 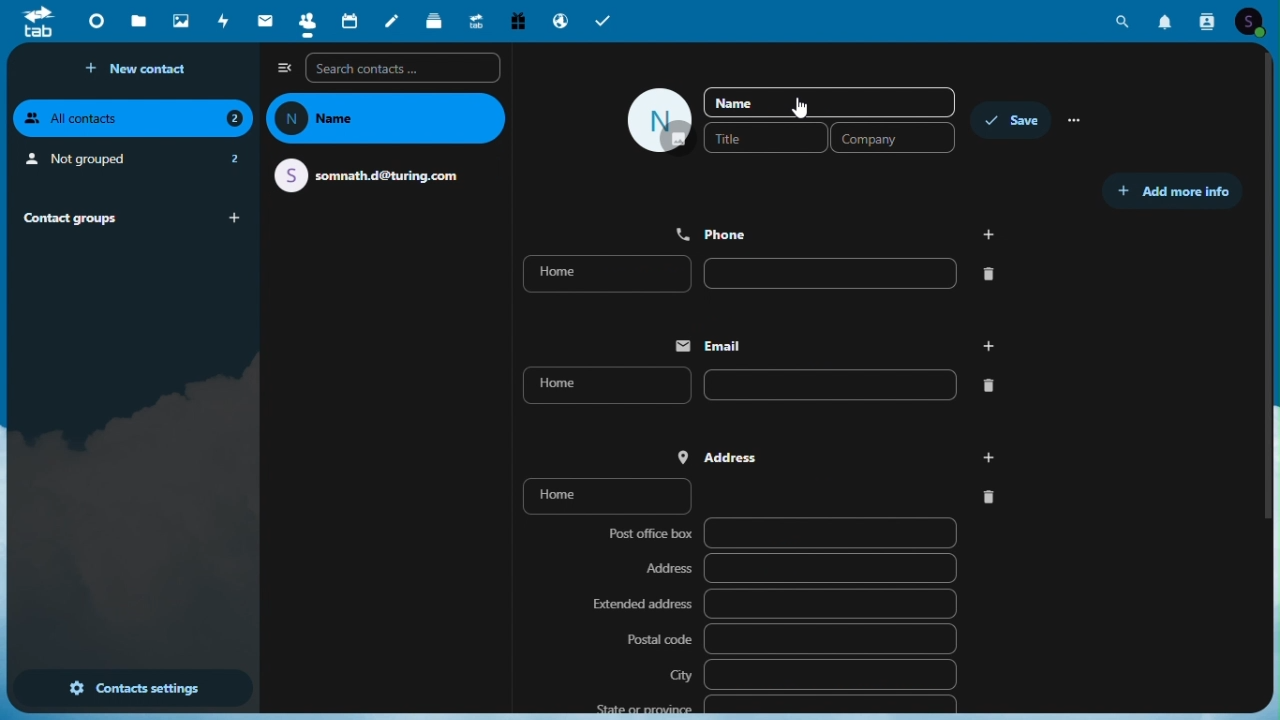 What do you see at coordinates (388, 119) in the screenshot?
I see `name` at bounding box center [388, 119].